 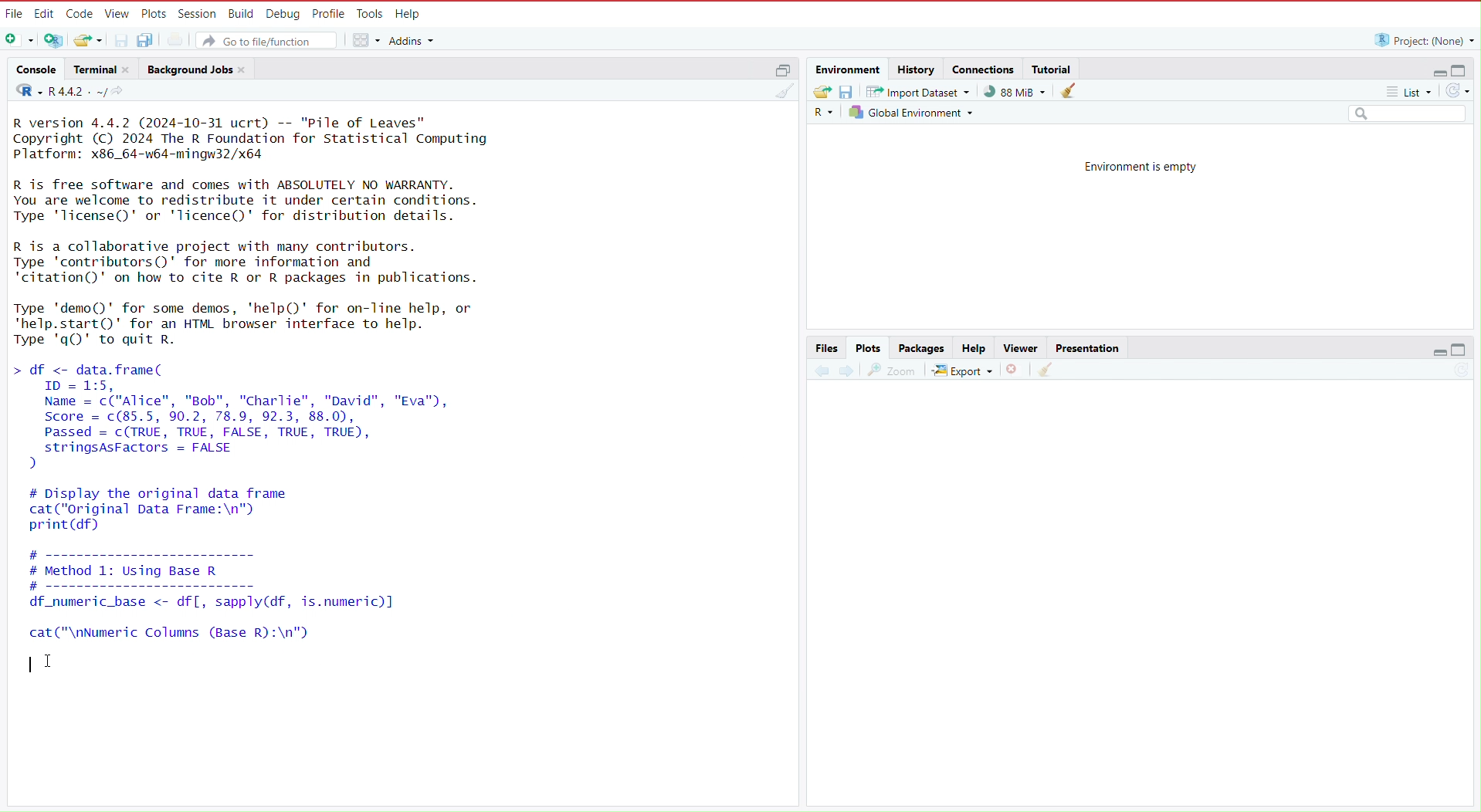 I want to click on Profile, so click(x=329, y=12).